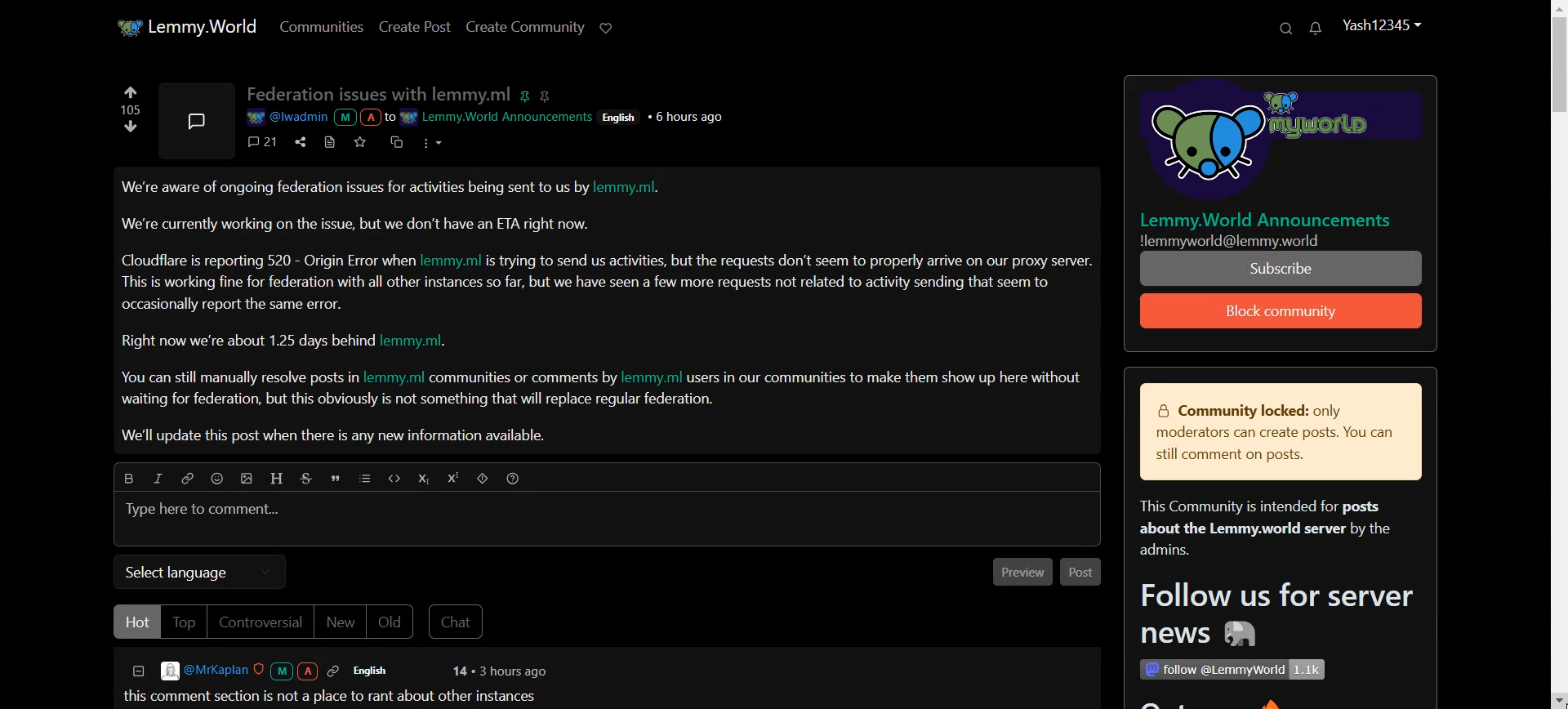 This screenshot has height=709, width=1568. I want to click on English, so click(376, 671).